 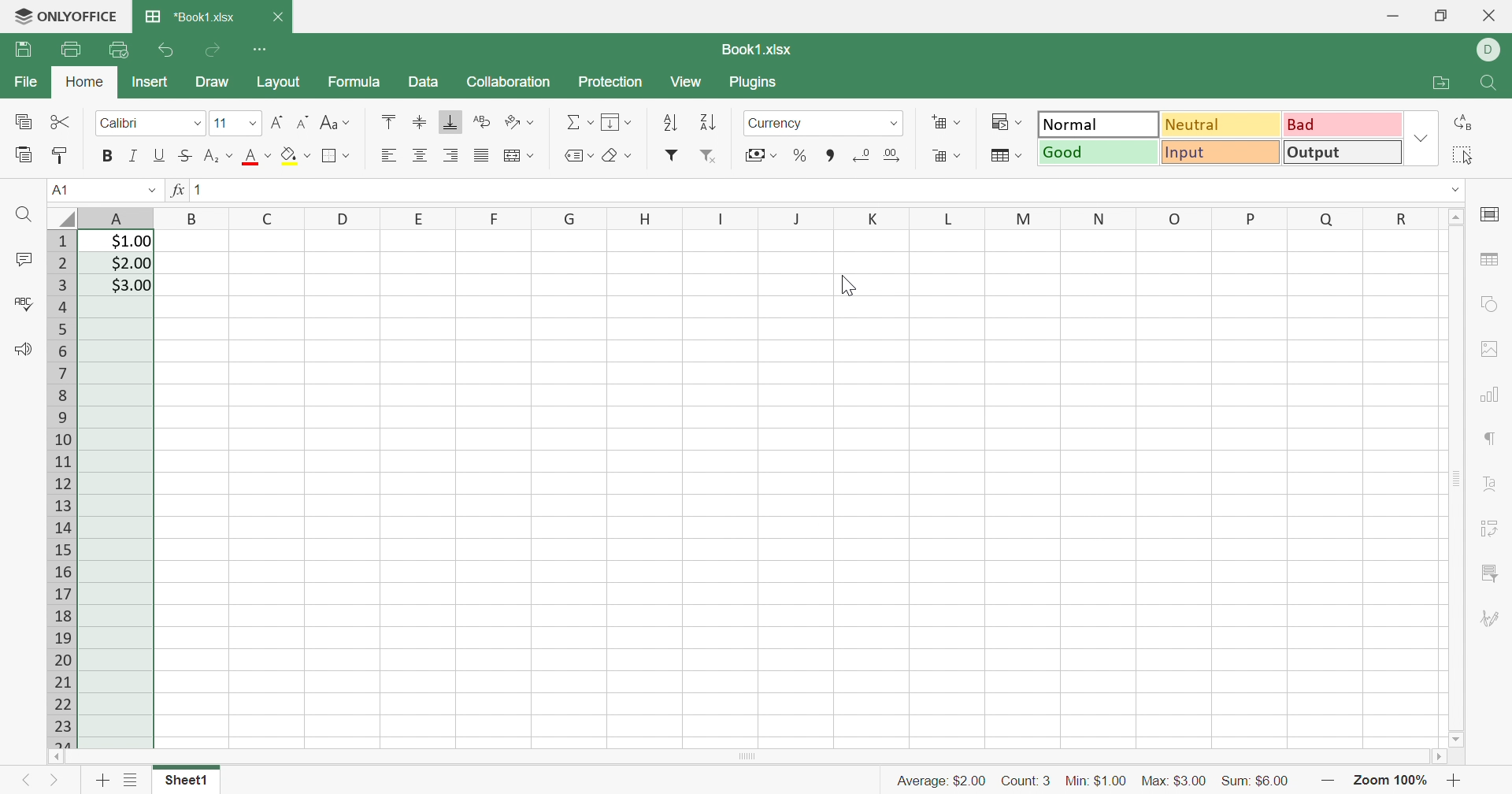 What do you see at coordinates (617, 157) in the screenshot?
I see `Clear` at bounding box center [617, 157].